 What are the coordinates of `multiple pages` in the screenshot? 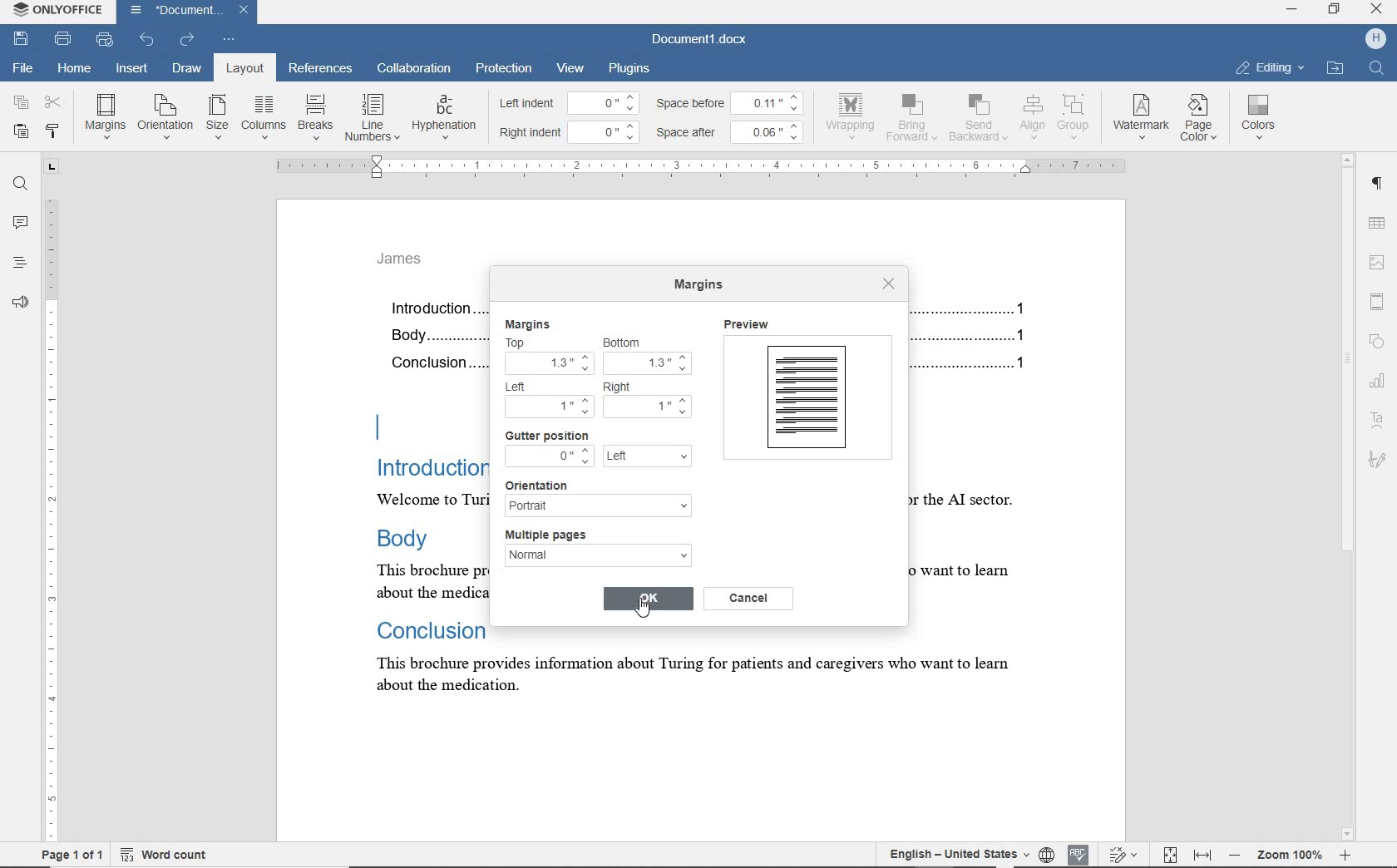 It's located at (554, 535).